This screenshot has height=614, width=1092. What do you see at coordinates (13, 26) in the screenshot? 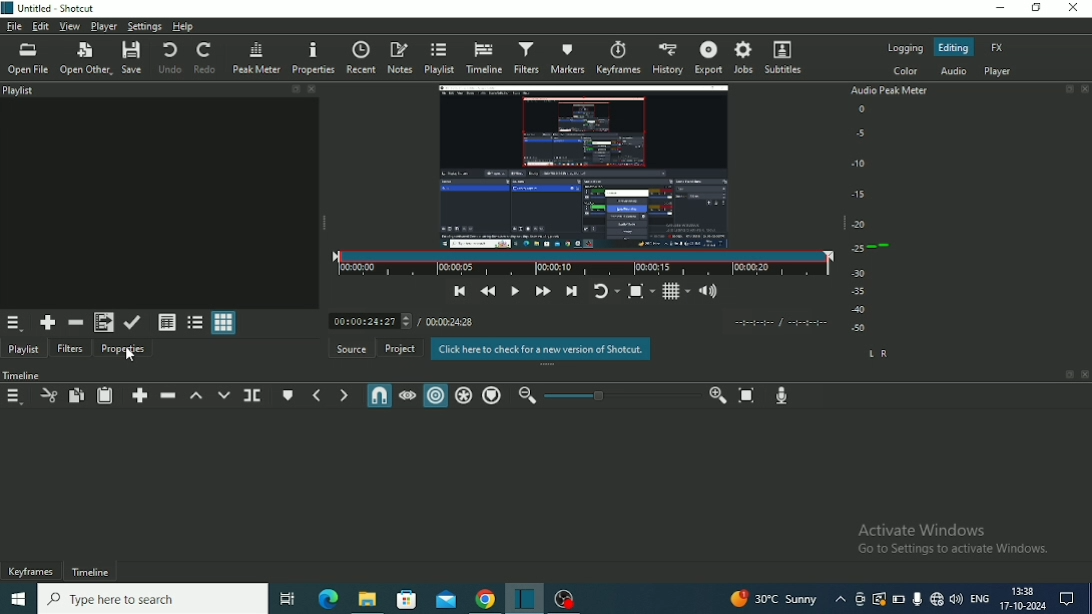
I see `File` at bounding box center [13, 26].